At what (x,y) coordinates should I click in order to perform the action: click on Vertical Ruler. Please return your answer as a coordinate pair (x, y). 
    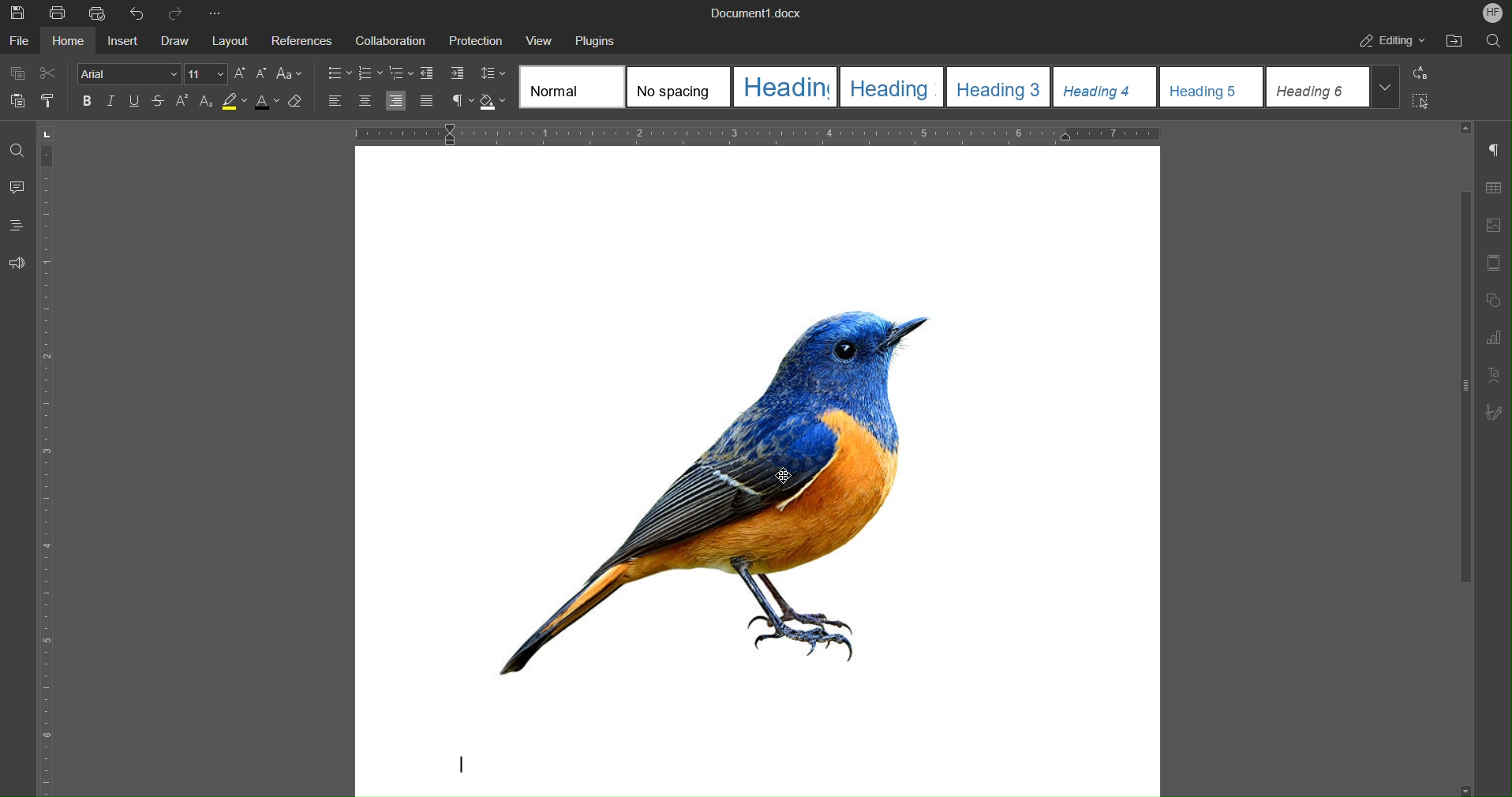
    Looking at the image, I should click on (51, 458).